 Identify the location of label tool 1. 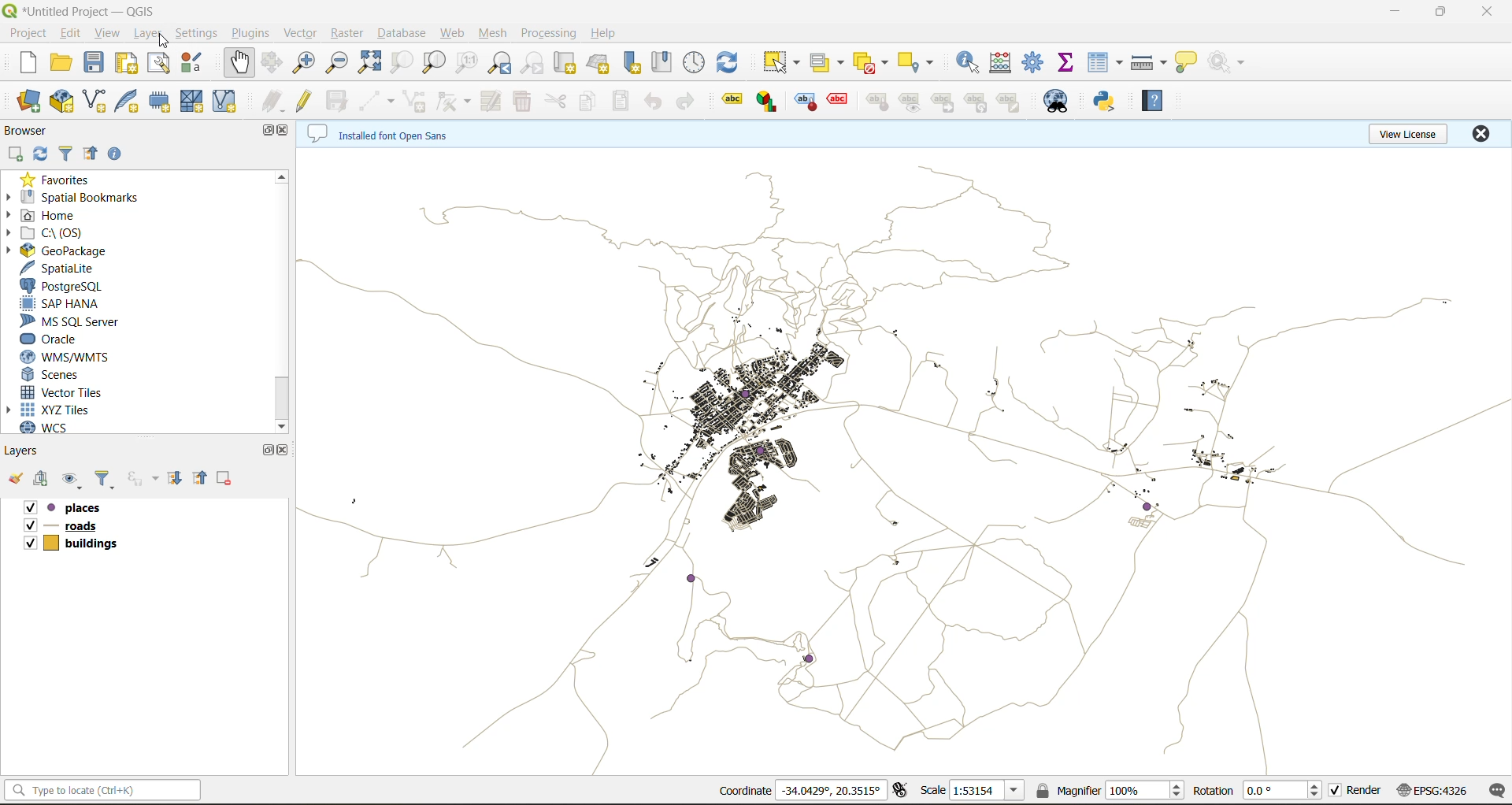
(732, 102).